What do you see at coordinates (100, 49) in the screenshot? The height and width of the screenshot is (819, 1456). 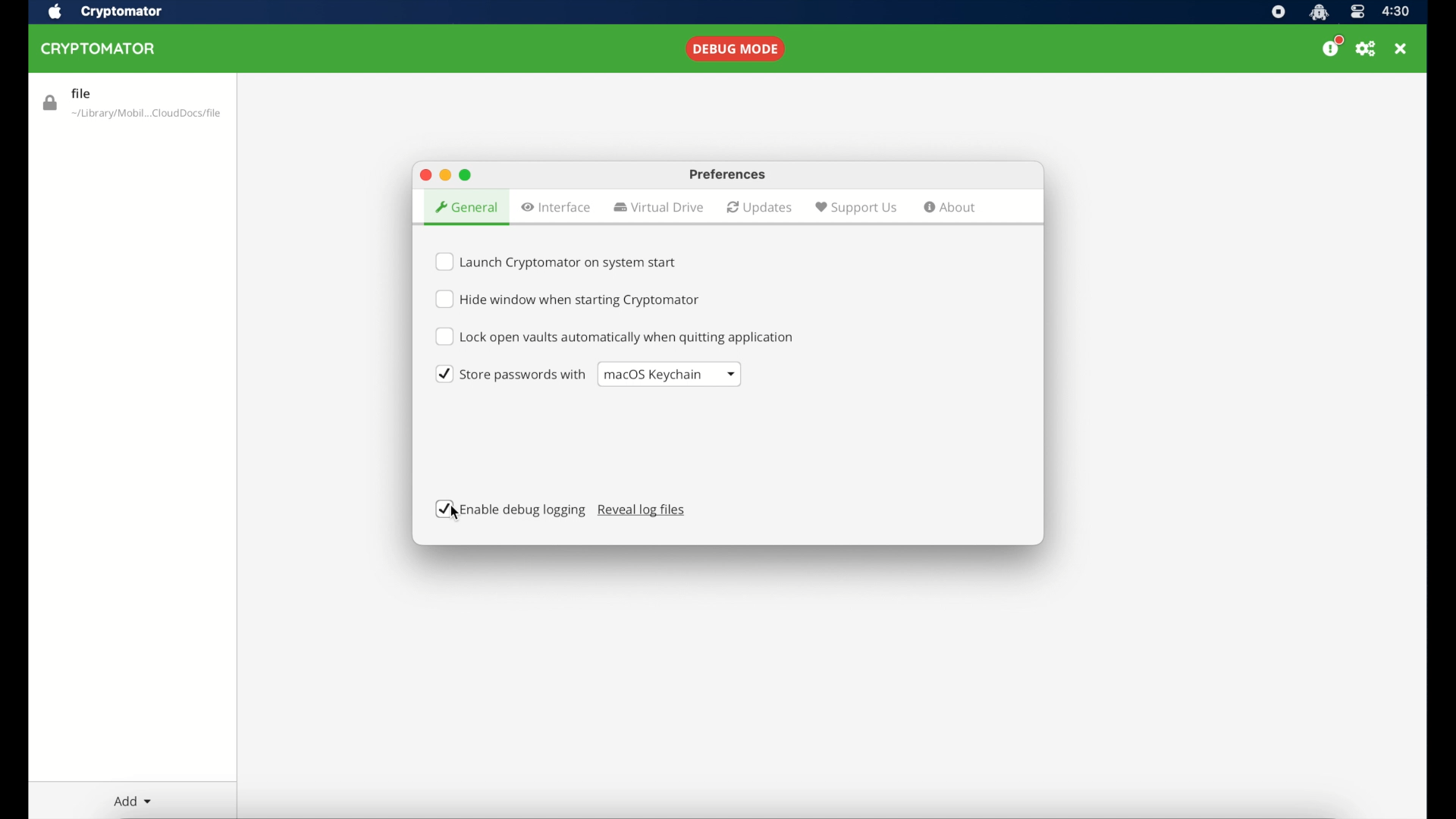 I see `cryptomator` at bounding box center [100, 49].